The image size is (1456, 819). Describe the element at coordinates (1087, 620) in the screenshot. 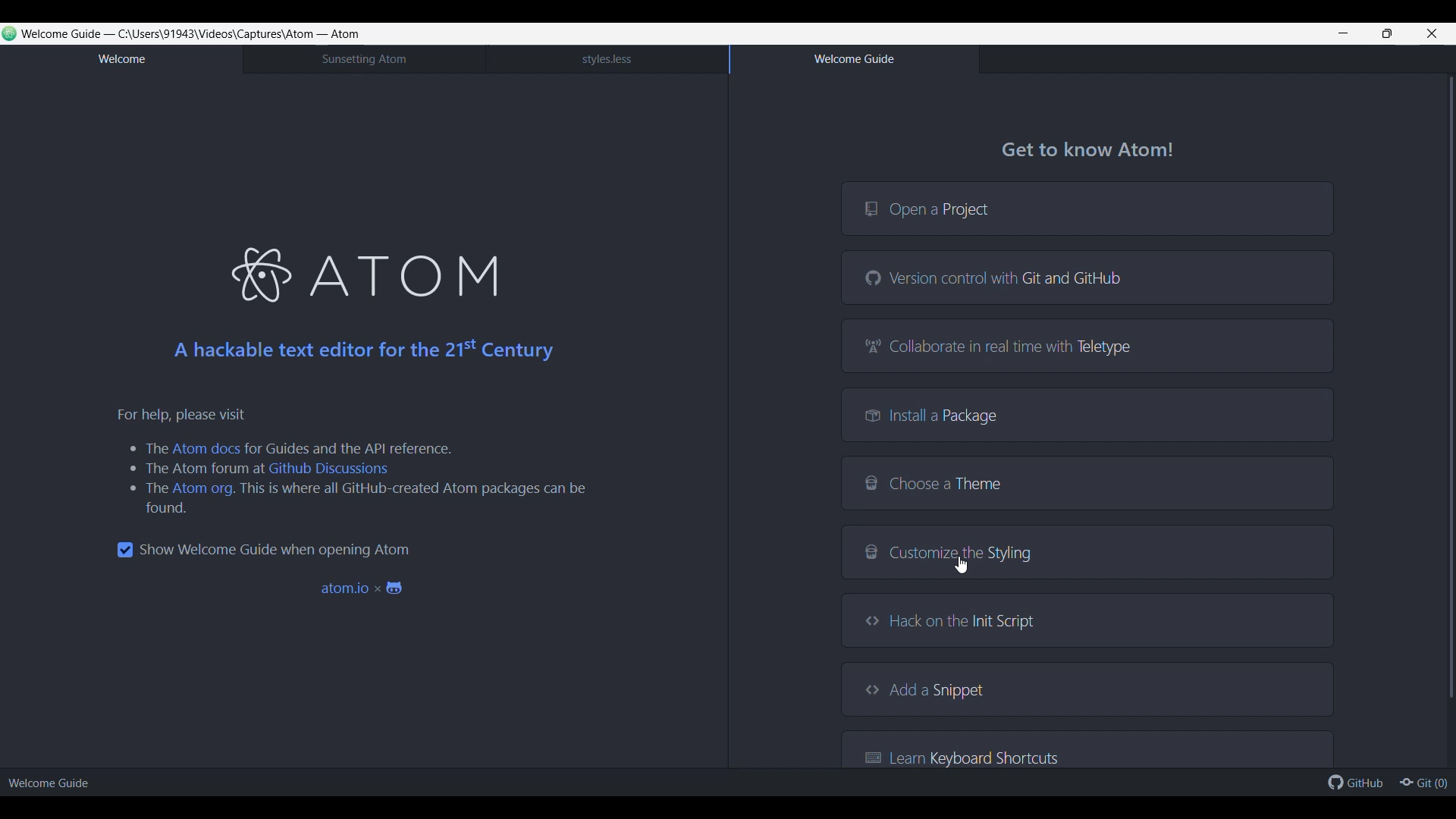

I see `Hack on the Init Script` at that location.